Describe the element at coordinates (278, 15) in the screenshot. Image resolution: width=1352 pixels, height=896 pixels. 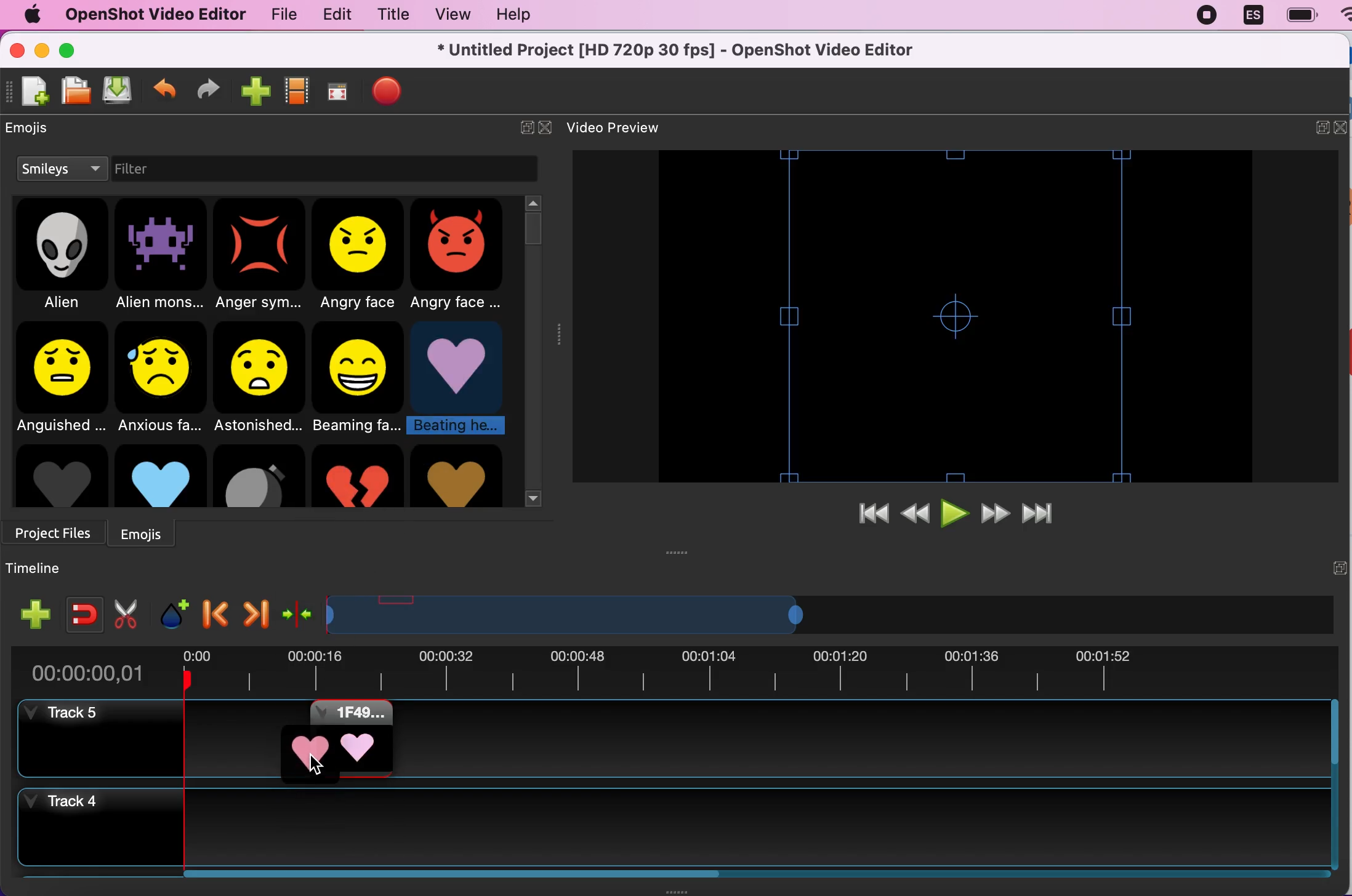
I see `file` at that location.